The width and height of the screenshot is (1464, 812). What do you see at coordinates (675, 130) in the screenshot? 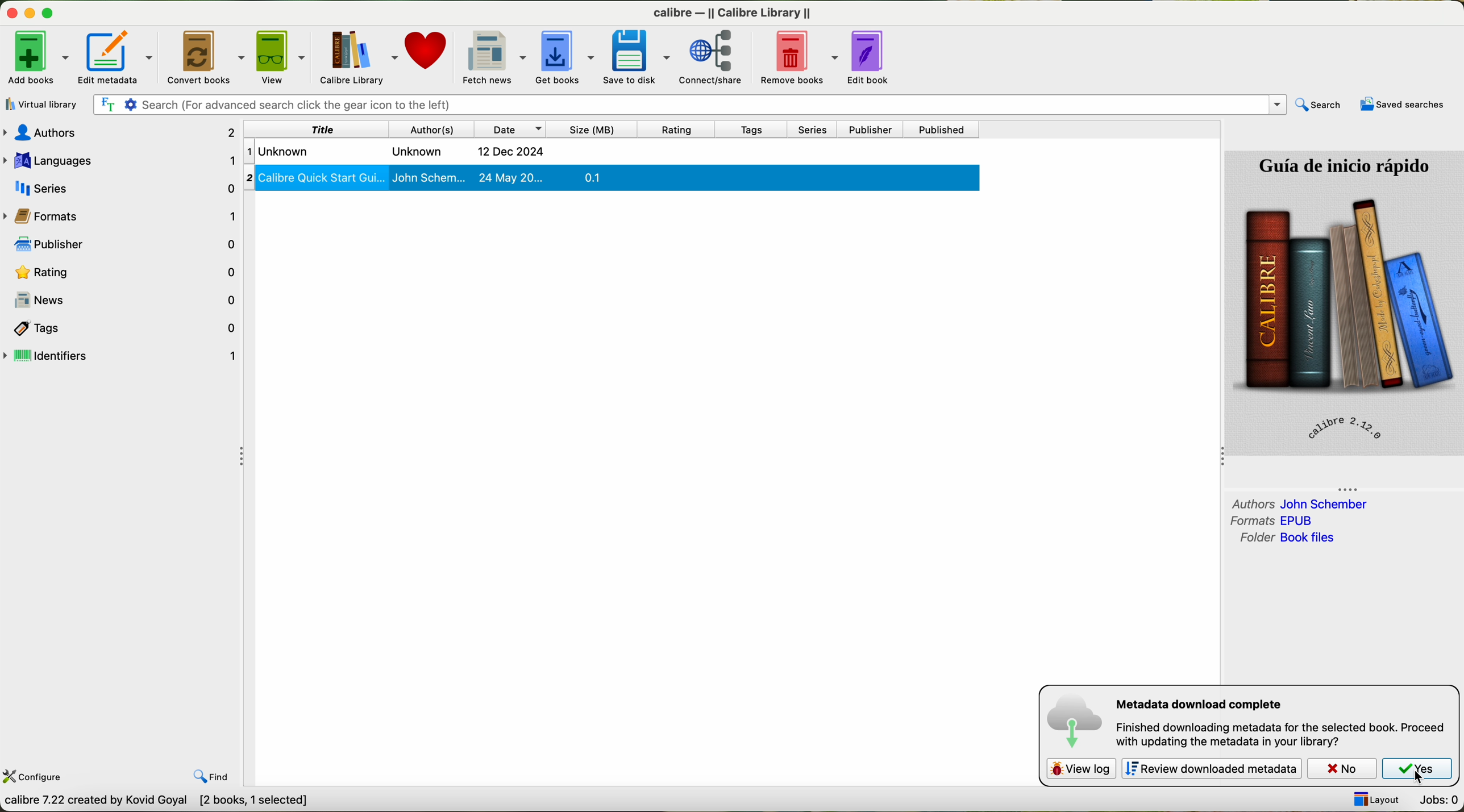
I see `rating` at bounding box center [675, 130].